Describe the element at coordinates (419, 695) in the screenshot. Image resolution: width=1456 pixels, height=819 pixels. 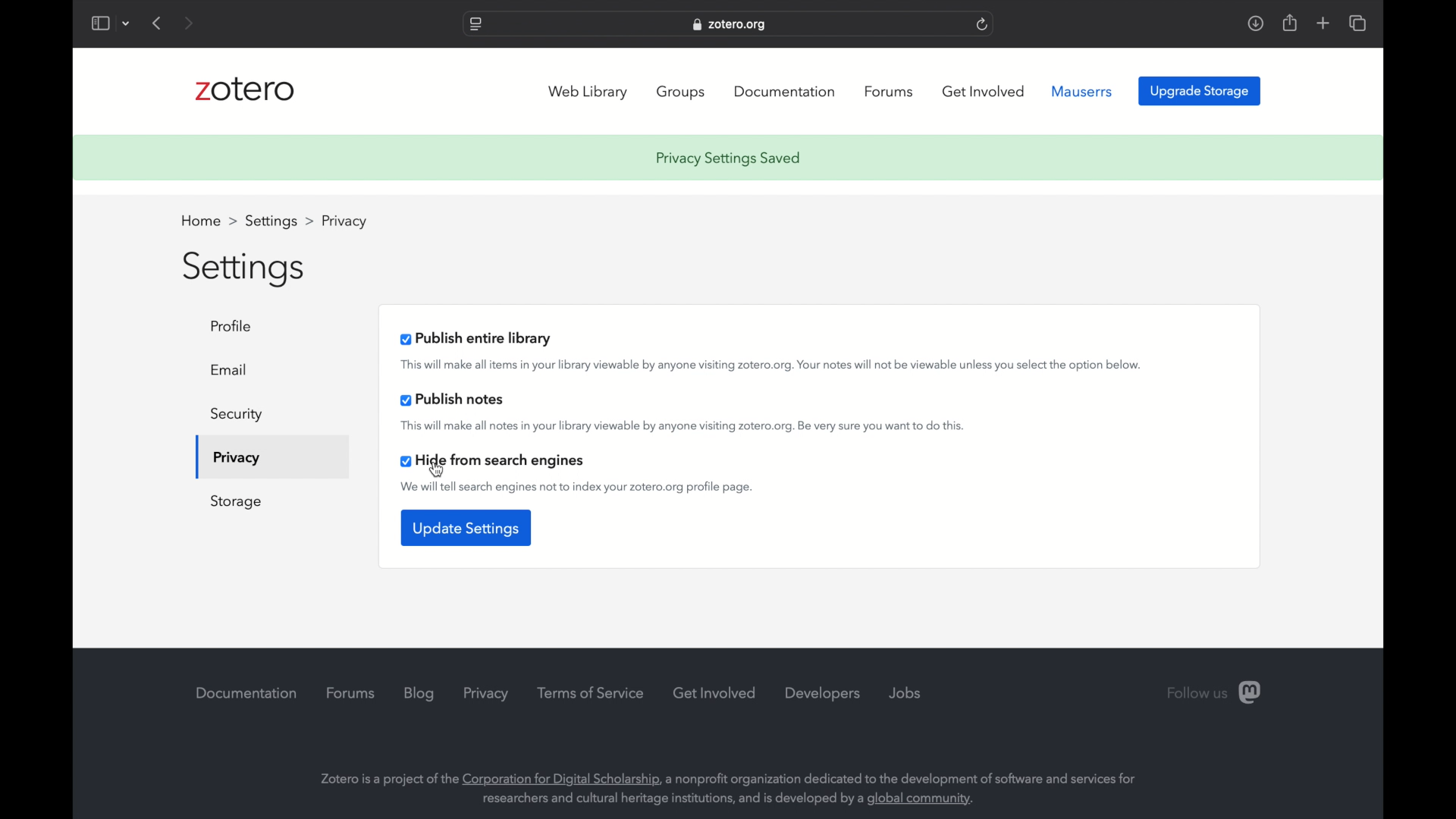
I see `blog` at that location.